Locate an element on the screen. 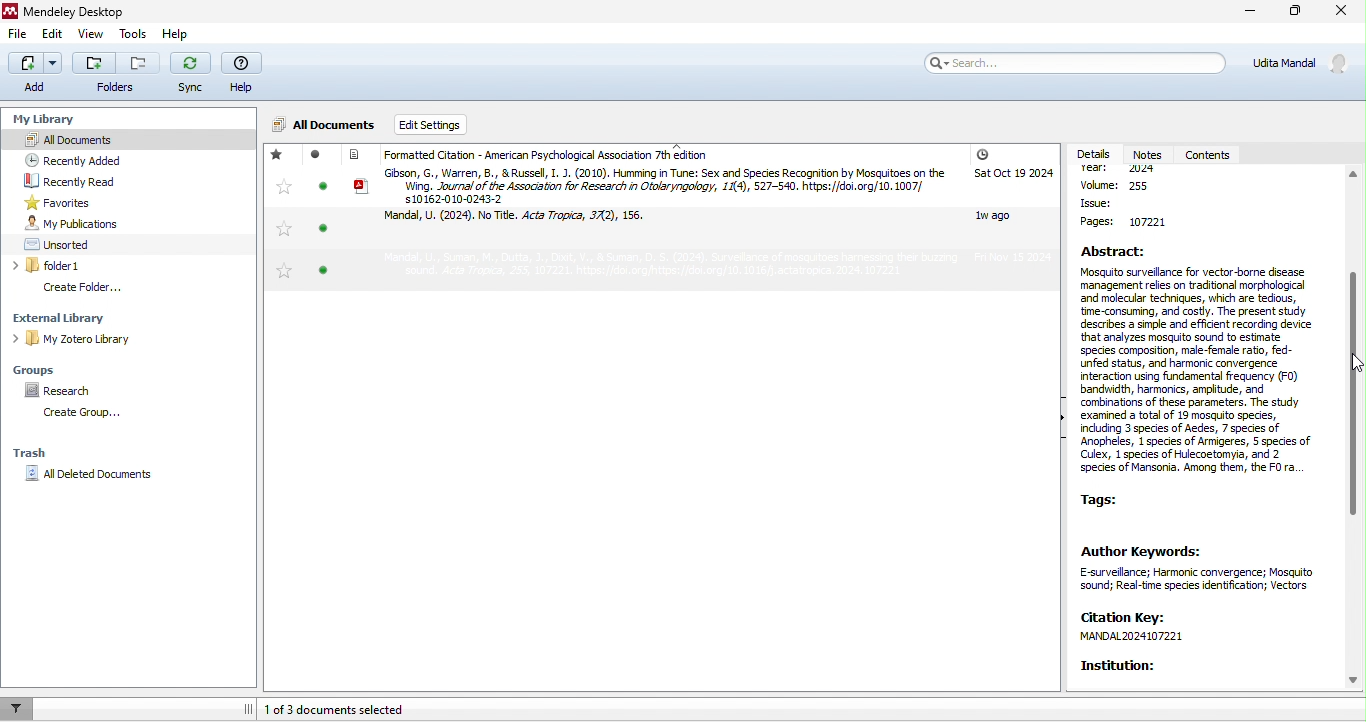 The height and width of the screenshot is (722, 1366). Abstract:
Mosquito surveilance for vector-borne disease.
management res on traditonal morphological
and molecuar techniques, which are tedious,
time-consuming, and costly. The present study
describes a simple 3nd efficent recording device
that analyzes mosquto sound to estimate
species composition, male-female rato, fed-
unfed status, and harmonic convergence
interacton using fundamental frequency (FO)
bandwidth, harmonics, ampitude, and

"combinations of these parameters. The study

examined a total of 19 mosquito speces,
induding 3 speces of Aedes, 7 speces of

~ Anopheles, 1 speces of Armigeres, 5 species of
Culex, 1 5peces of Hulecoetomyia, and 2.
species of Mansonia. Among them, the FO ra. is located at coordinates (1203, 361).